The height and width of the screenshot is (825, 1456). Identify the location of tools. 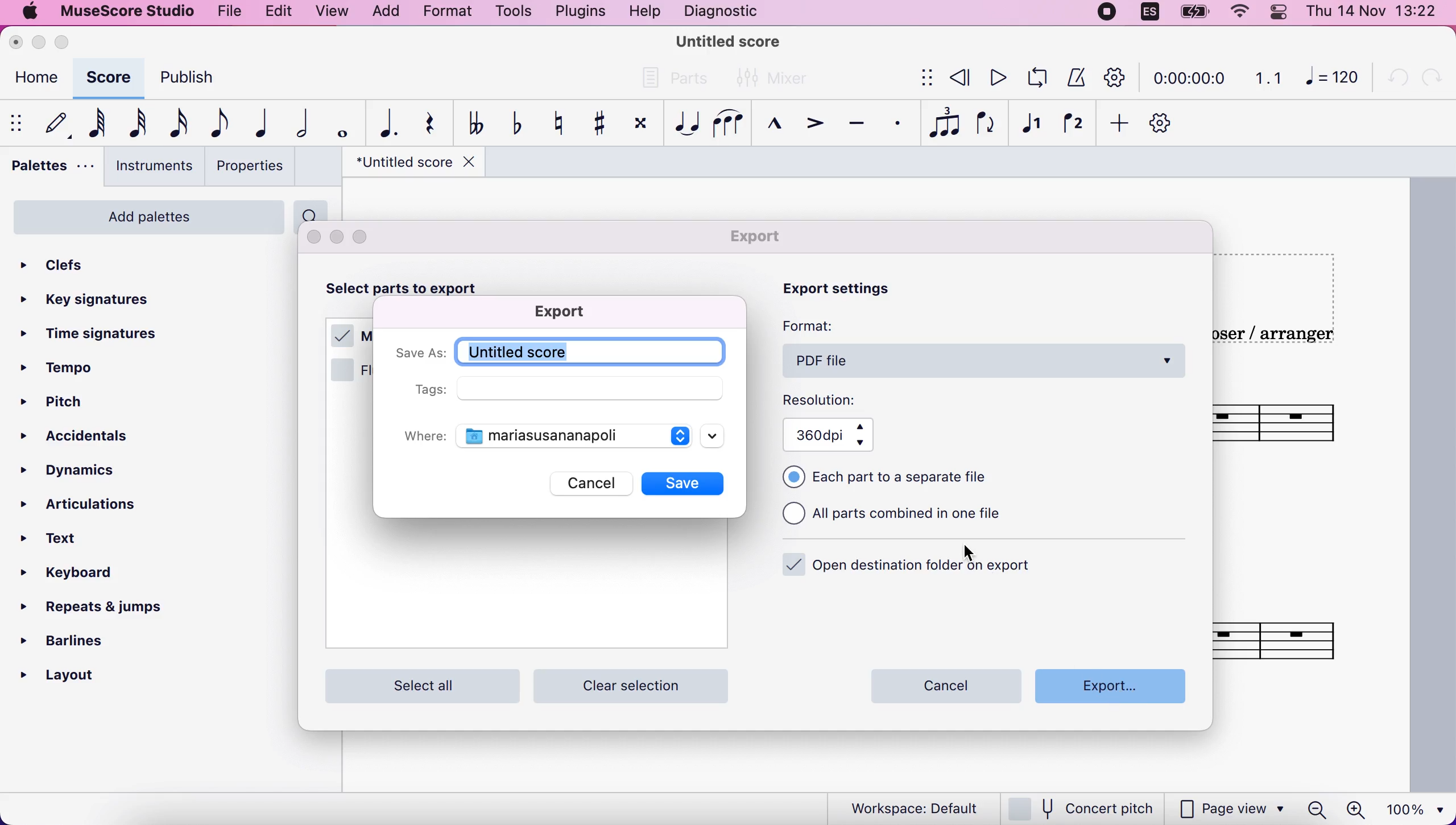
(508, 14).